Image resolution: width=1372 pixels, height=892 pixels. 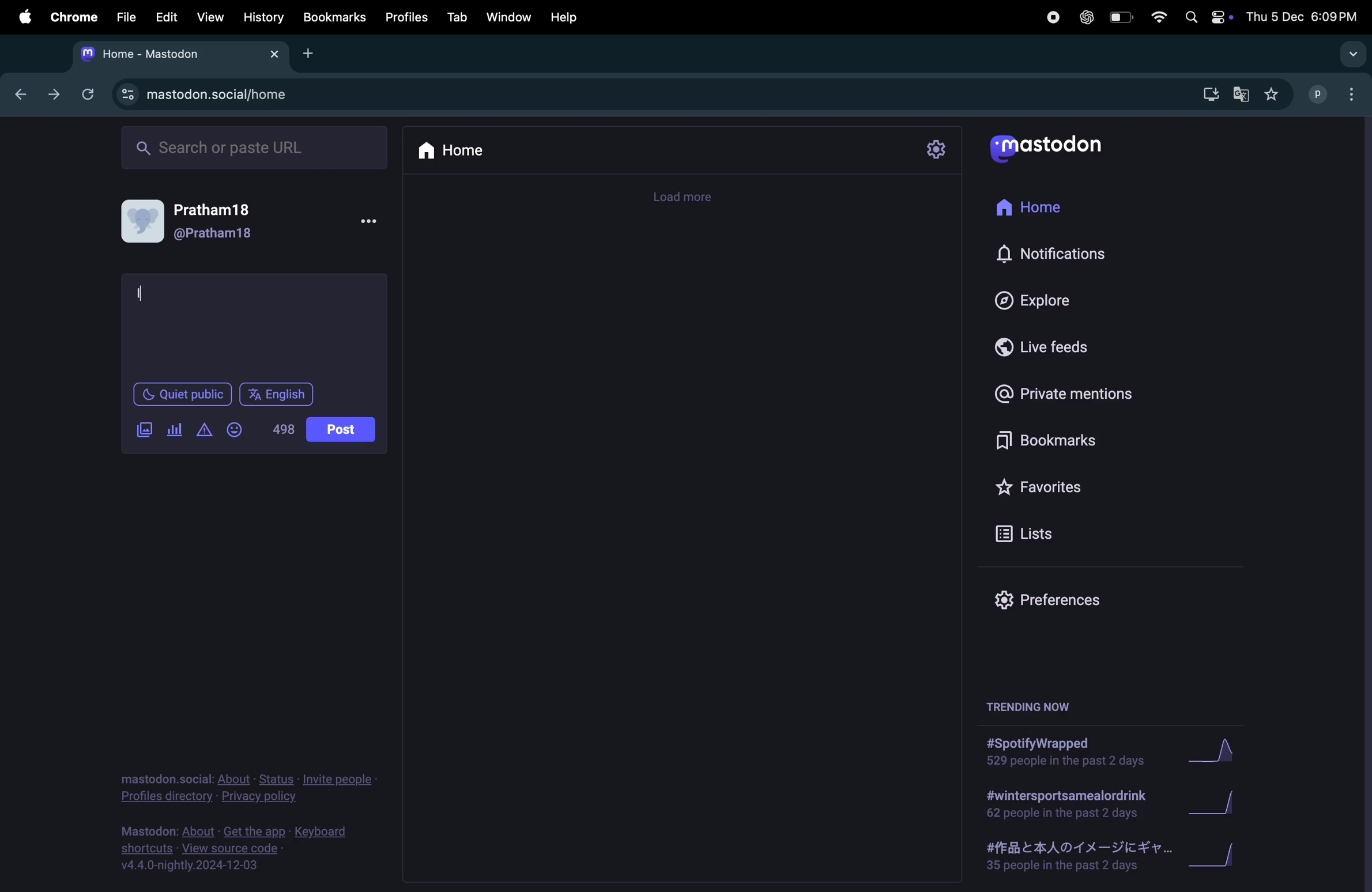 What do you see at coordinates (334, 17) in the screenshot?
I see `Bookmarks` at bounding box center [334, 17].